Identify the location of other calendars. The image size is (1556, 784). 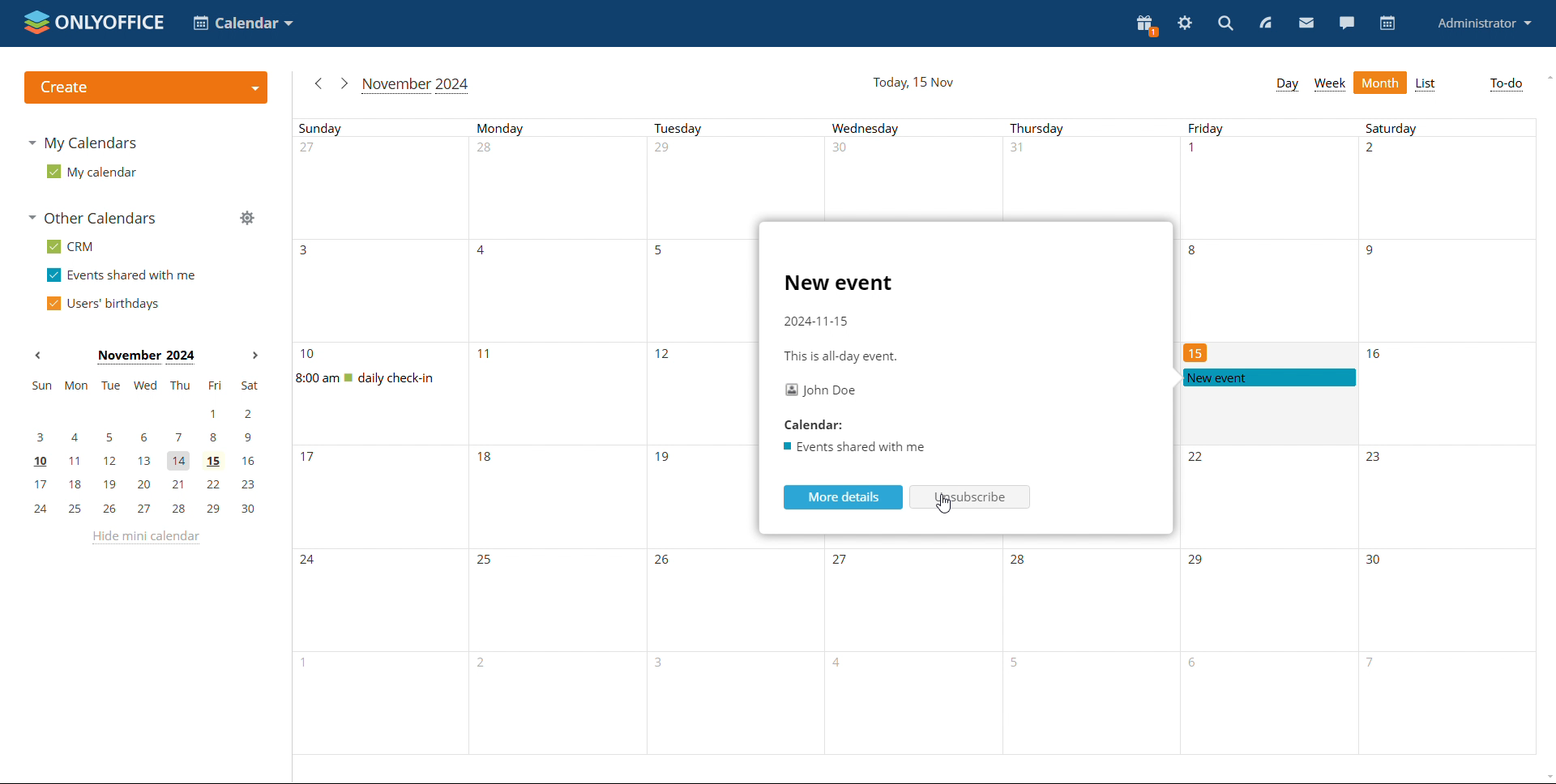
(96, 219).